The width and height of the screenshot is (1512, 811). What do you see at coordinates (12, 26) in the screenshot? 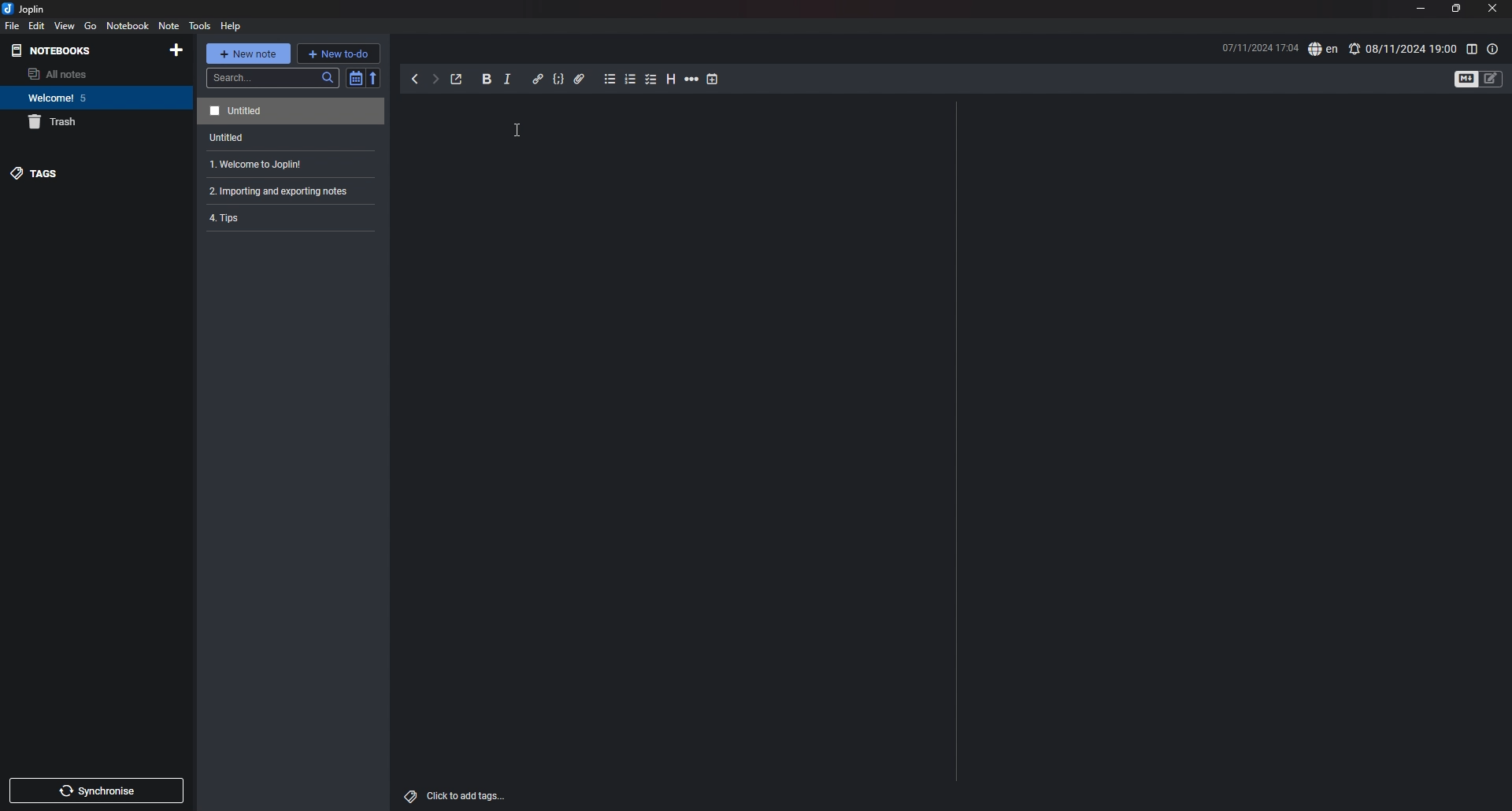
I see `file` at bounding box center [12, 26].